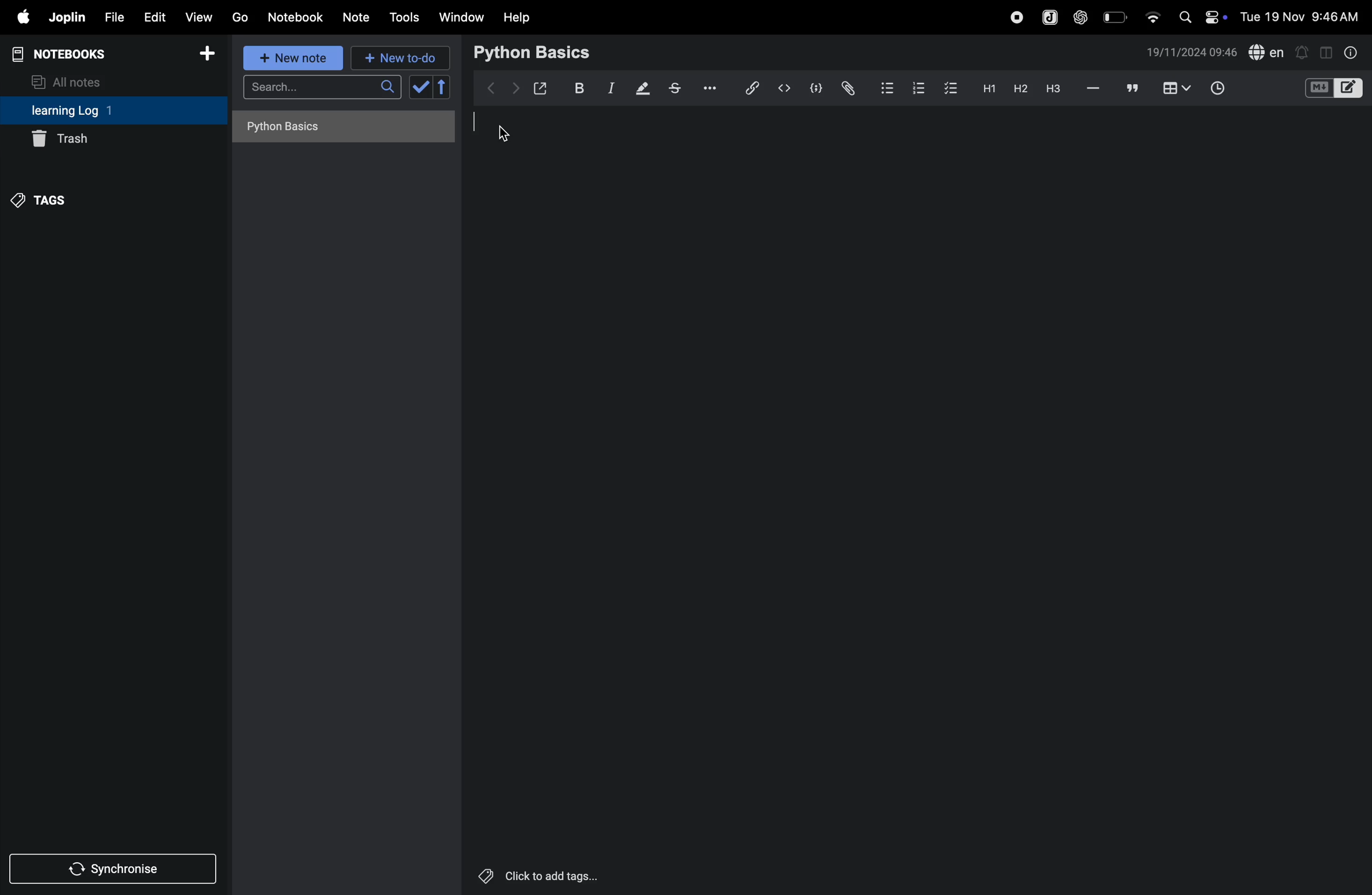  Describe the element at coordinates (290, 58) in the screenshot. I see `new note` at that location.